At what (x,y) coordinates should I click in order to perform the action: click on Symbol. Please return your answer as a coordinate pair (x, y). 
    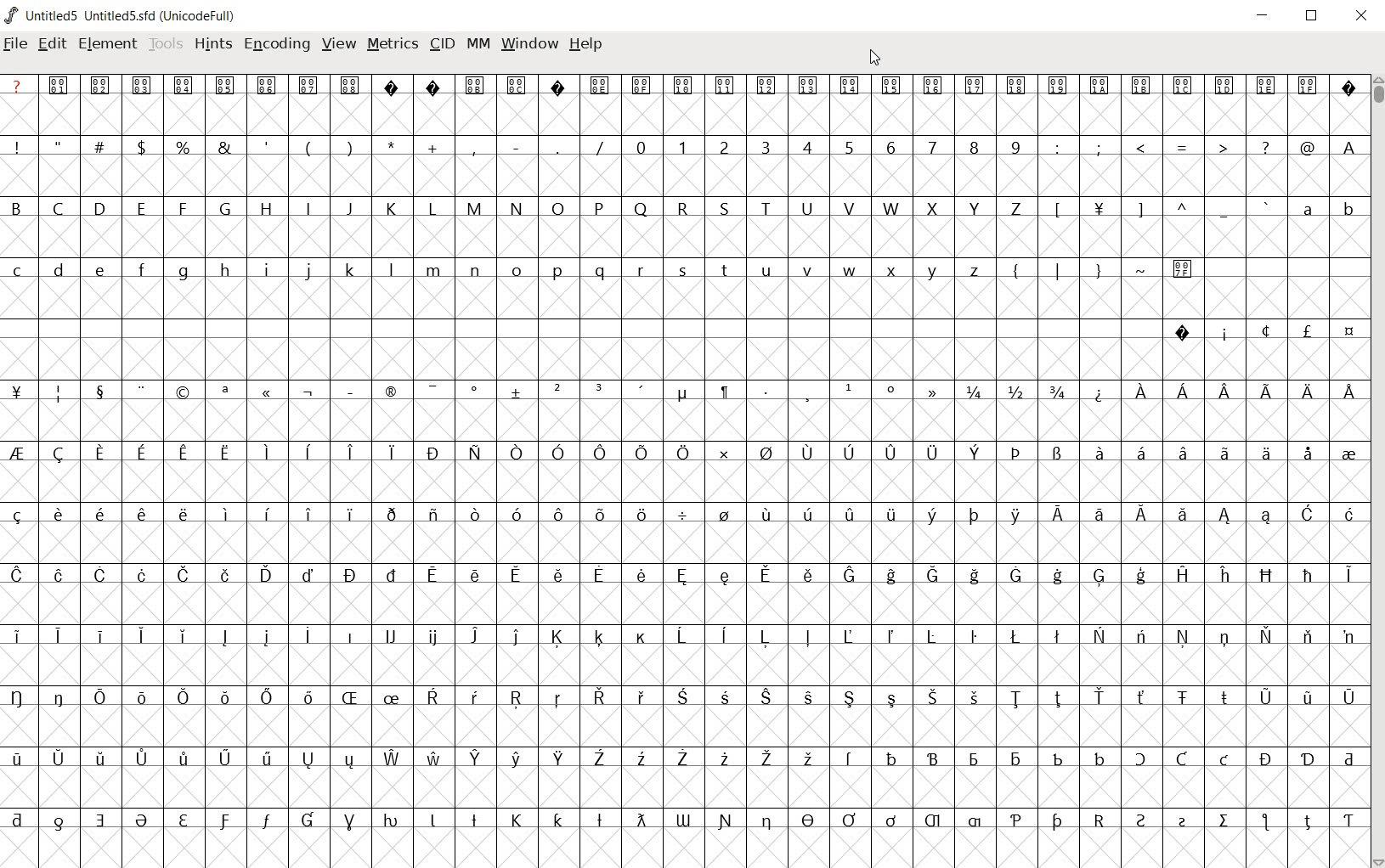
    Looking at the image, I should click on (1056, 758).